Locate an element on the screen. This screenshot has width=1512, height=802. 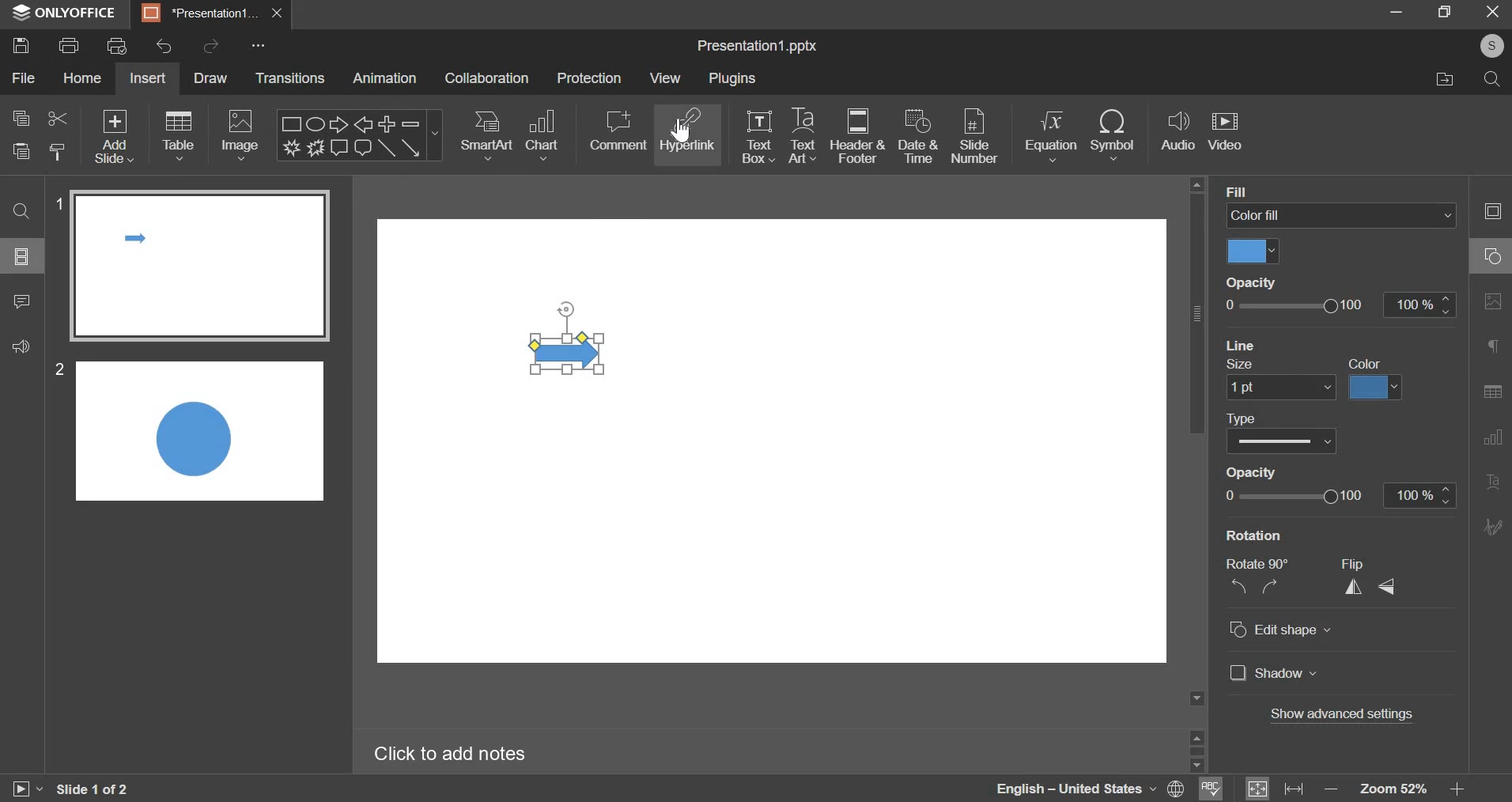
chart is located at coordinates (542, 135).